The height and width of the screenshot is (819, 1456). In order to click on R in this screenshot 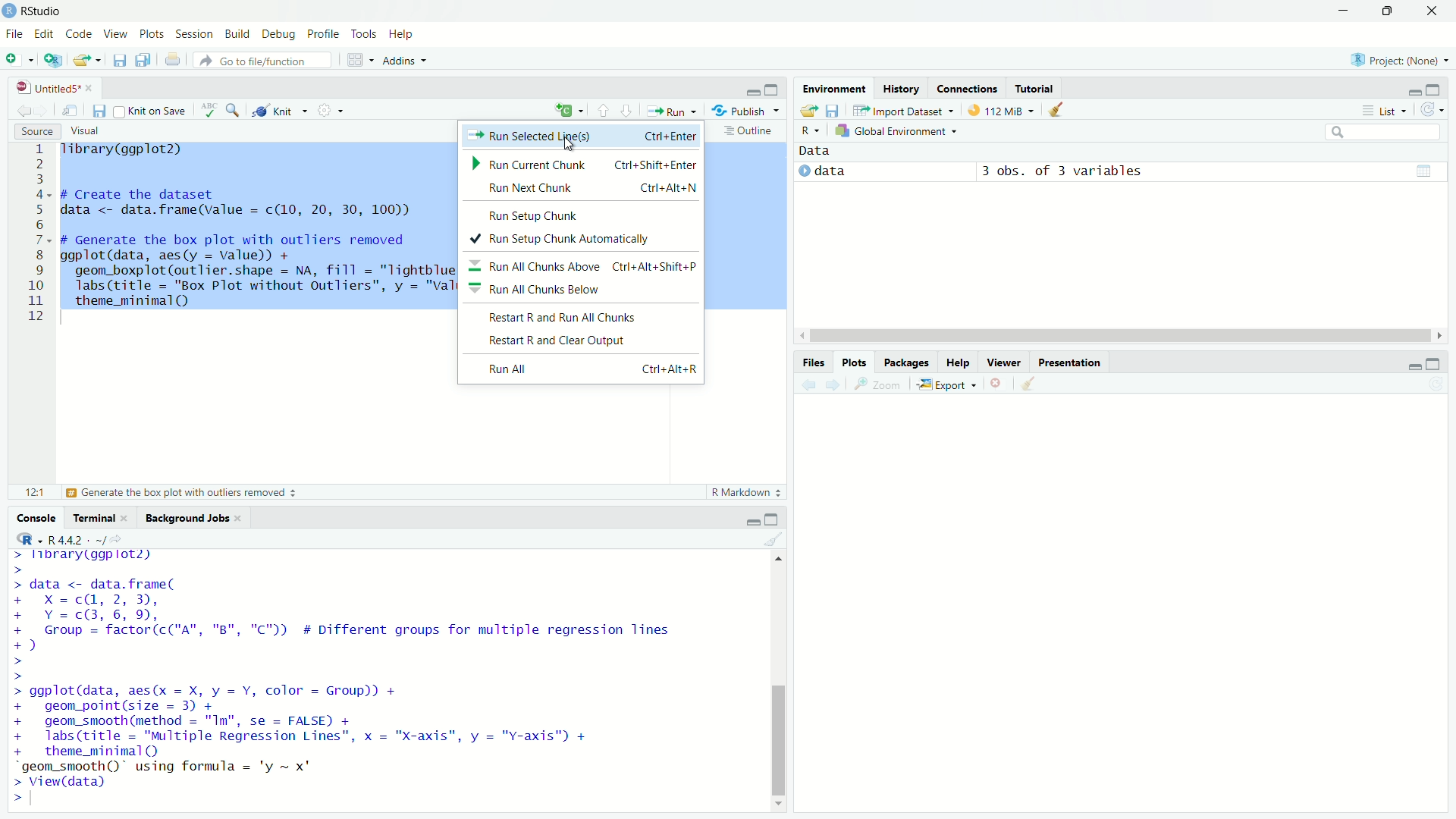, I will do `click(807, 127)`.